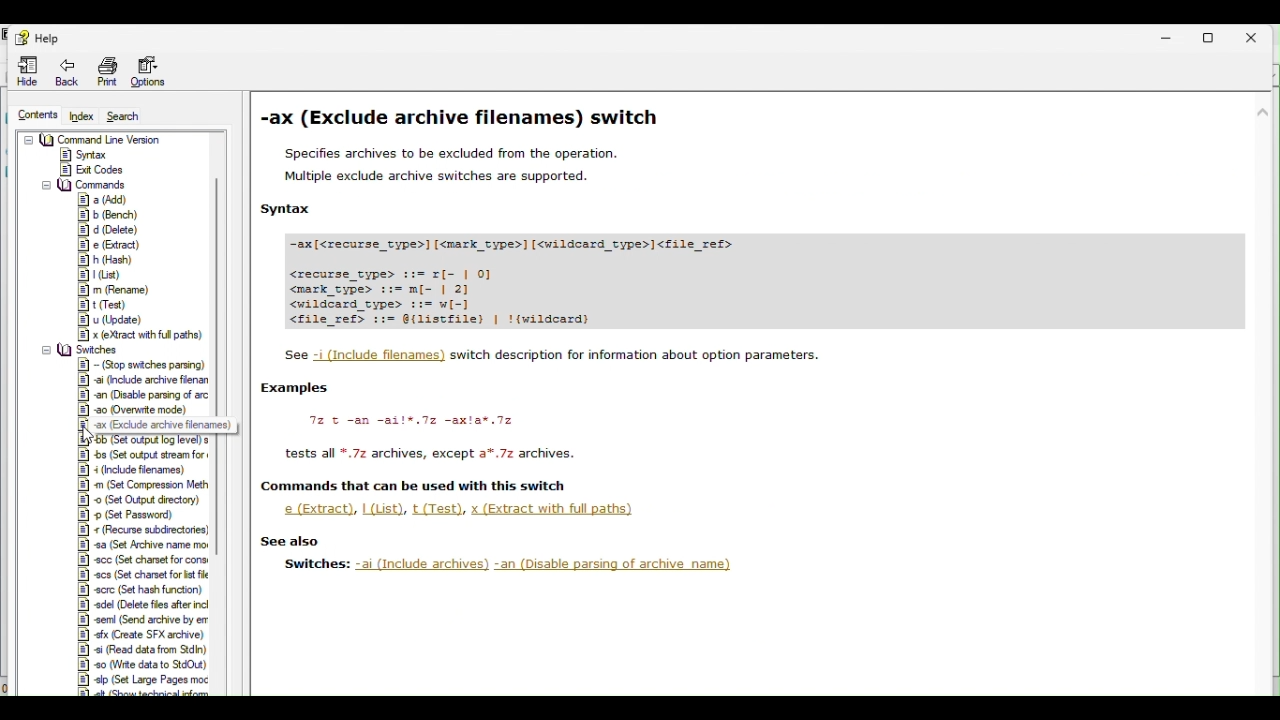 This screenshot has height=720, width=1280. I want to click on '#] 20 (Witte data to SidOu), so click(142, 663).